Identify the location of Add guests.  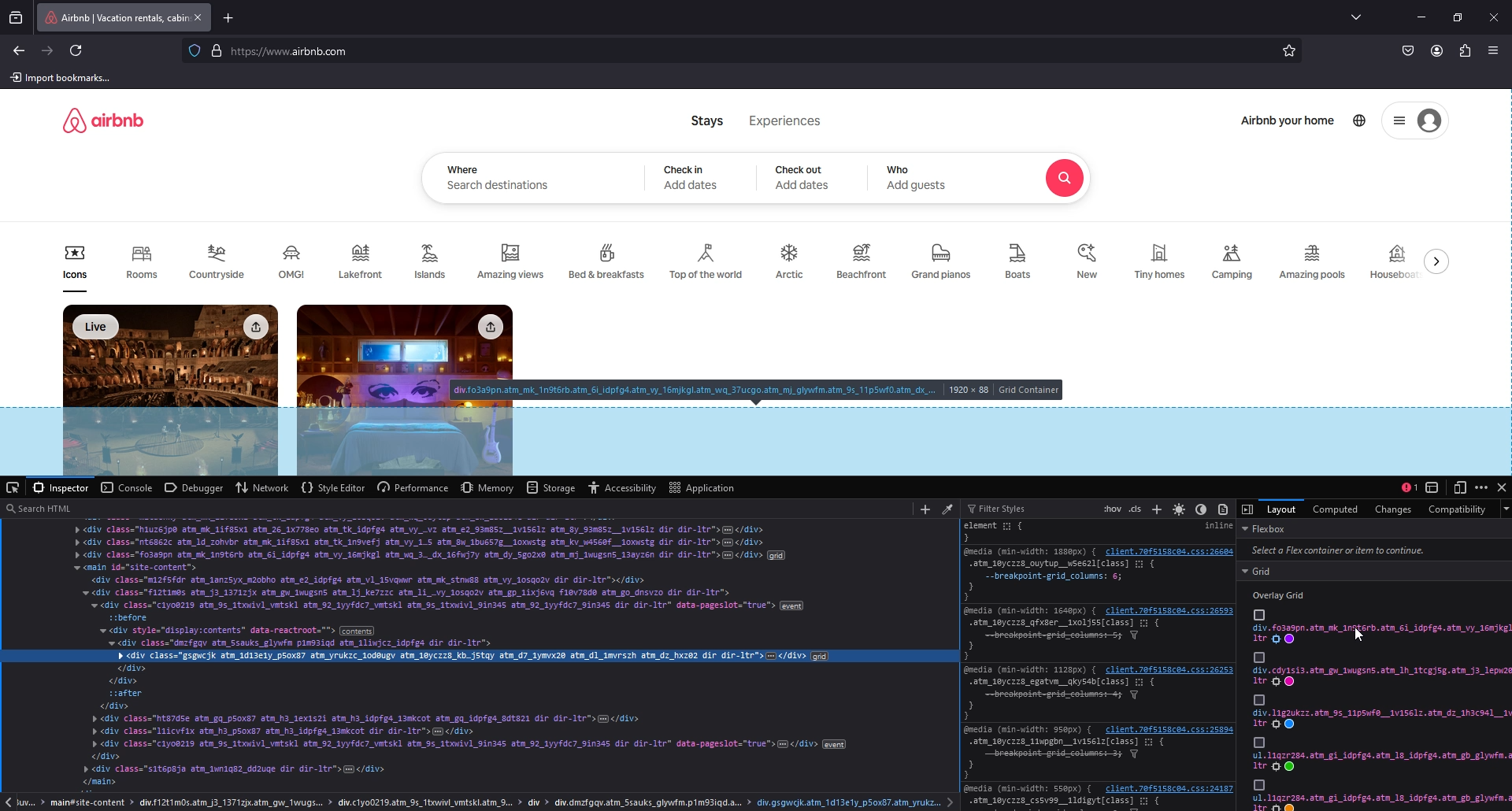
(918, 185).